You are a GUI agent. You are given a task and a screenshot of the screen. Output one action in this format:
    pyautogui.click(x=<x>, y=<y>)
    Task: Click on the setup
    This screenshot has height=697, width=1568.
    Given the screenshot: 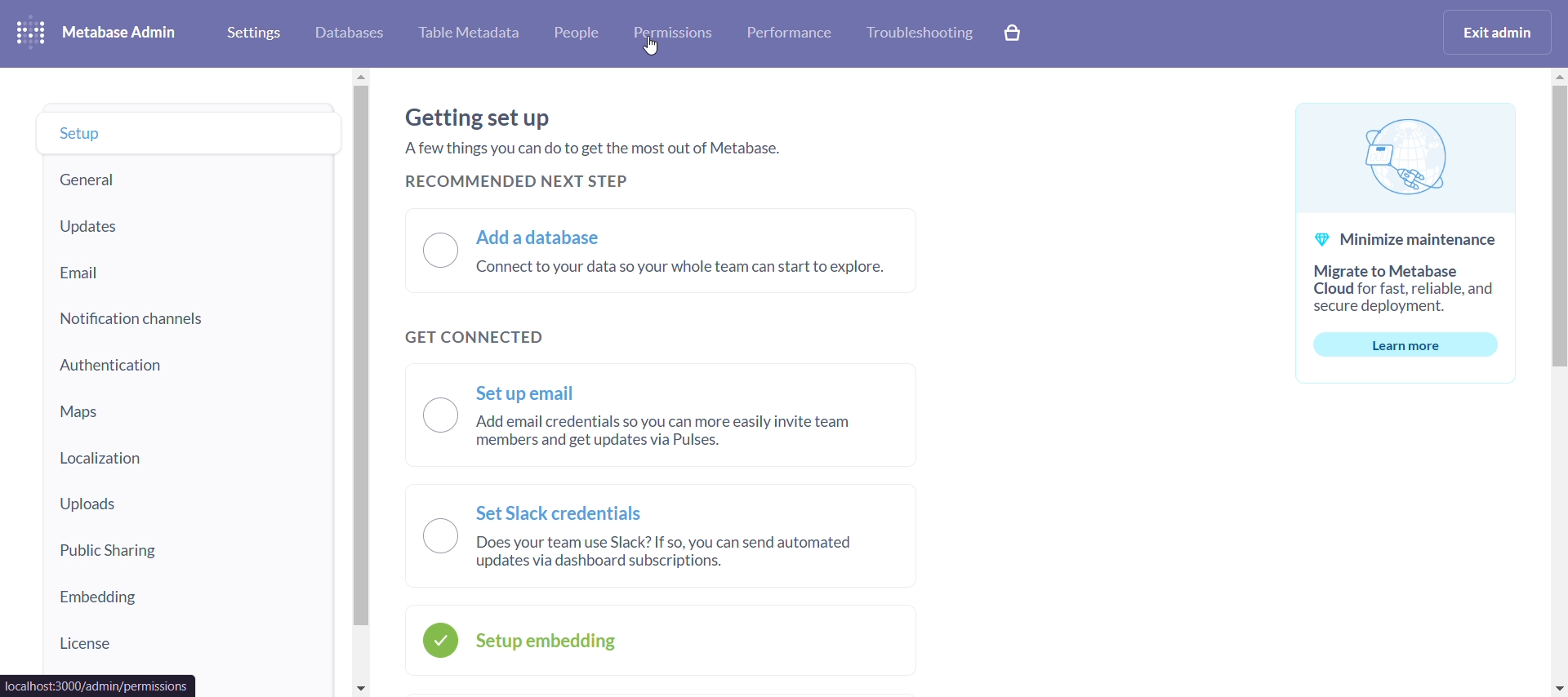 What is the action you would take?
    pyautogui.click(x=189, y=134)
    